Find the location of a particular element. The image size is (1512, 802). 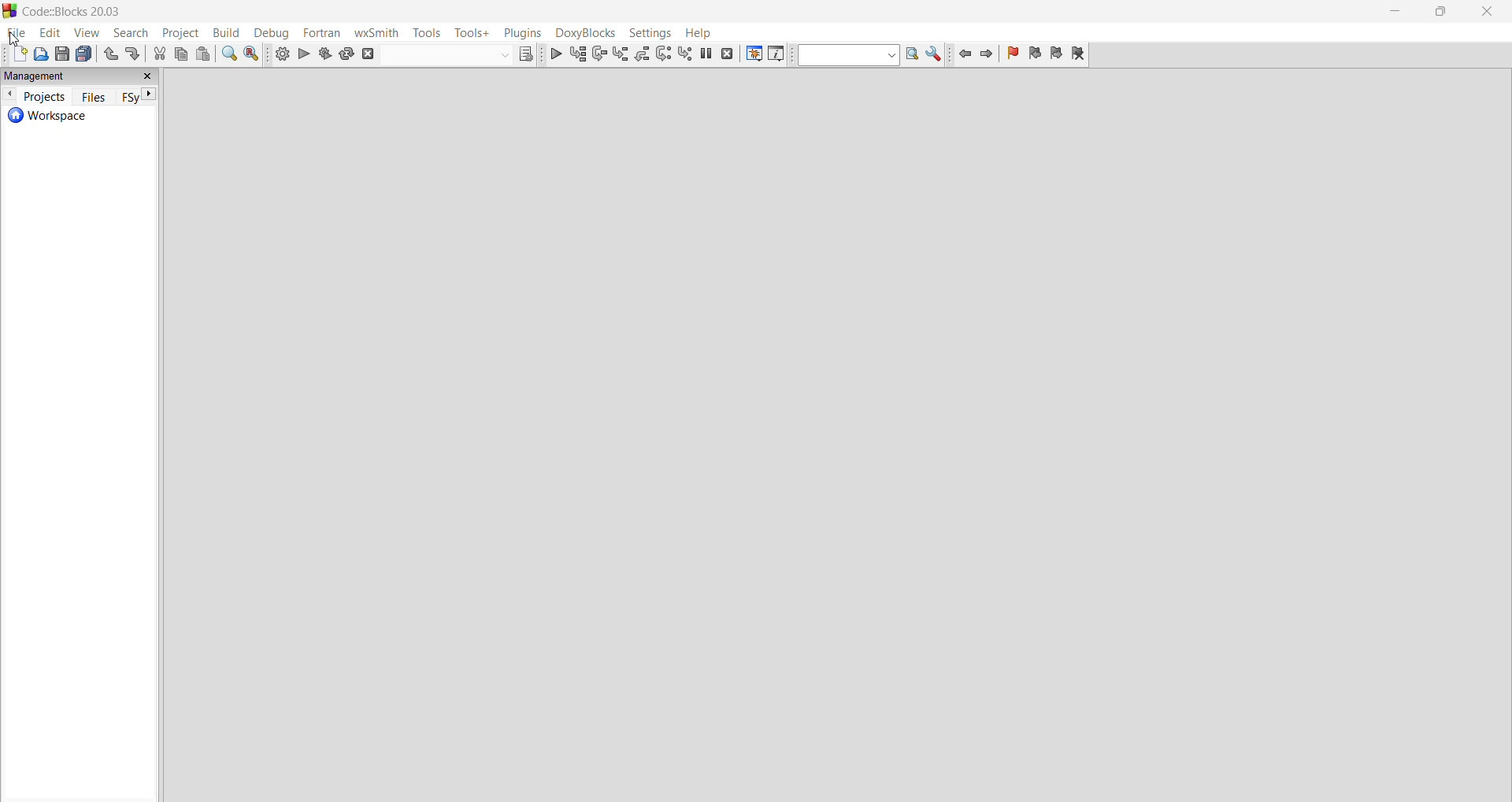

replace is located at coordinates (252, 55).